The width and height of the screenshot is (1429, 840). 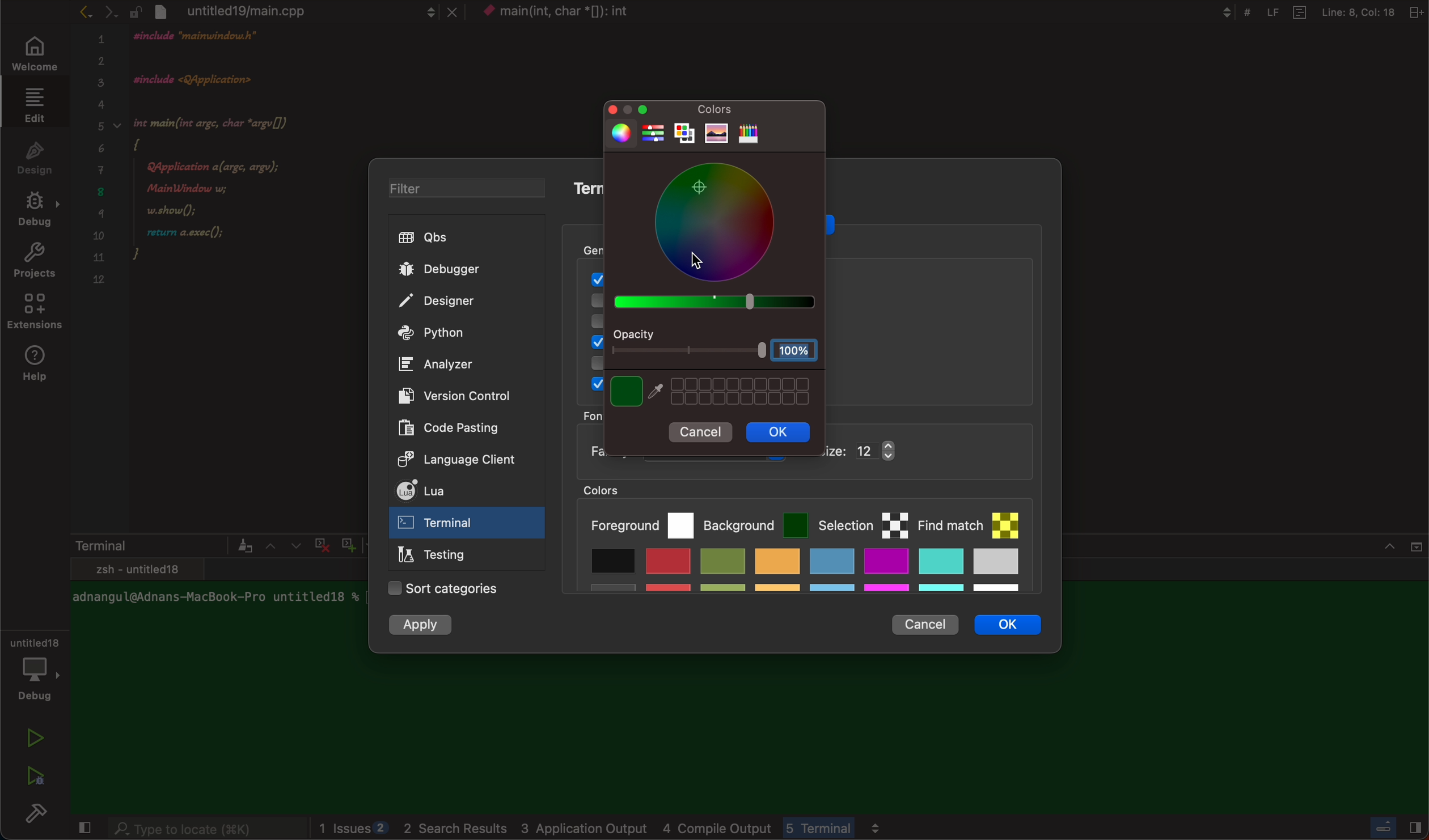 I want to click on projects, so click(x=34, y=263).